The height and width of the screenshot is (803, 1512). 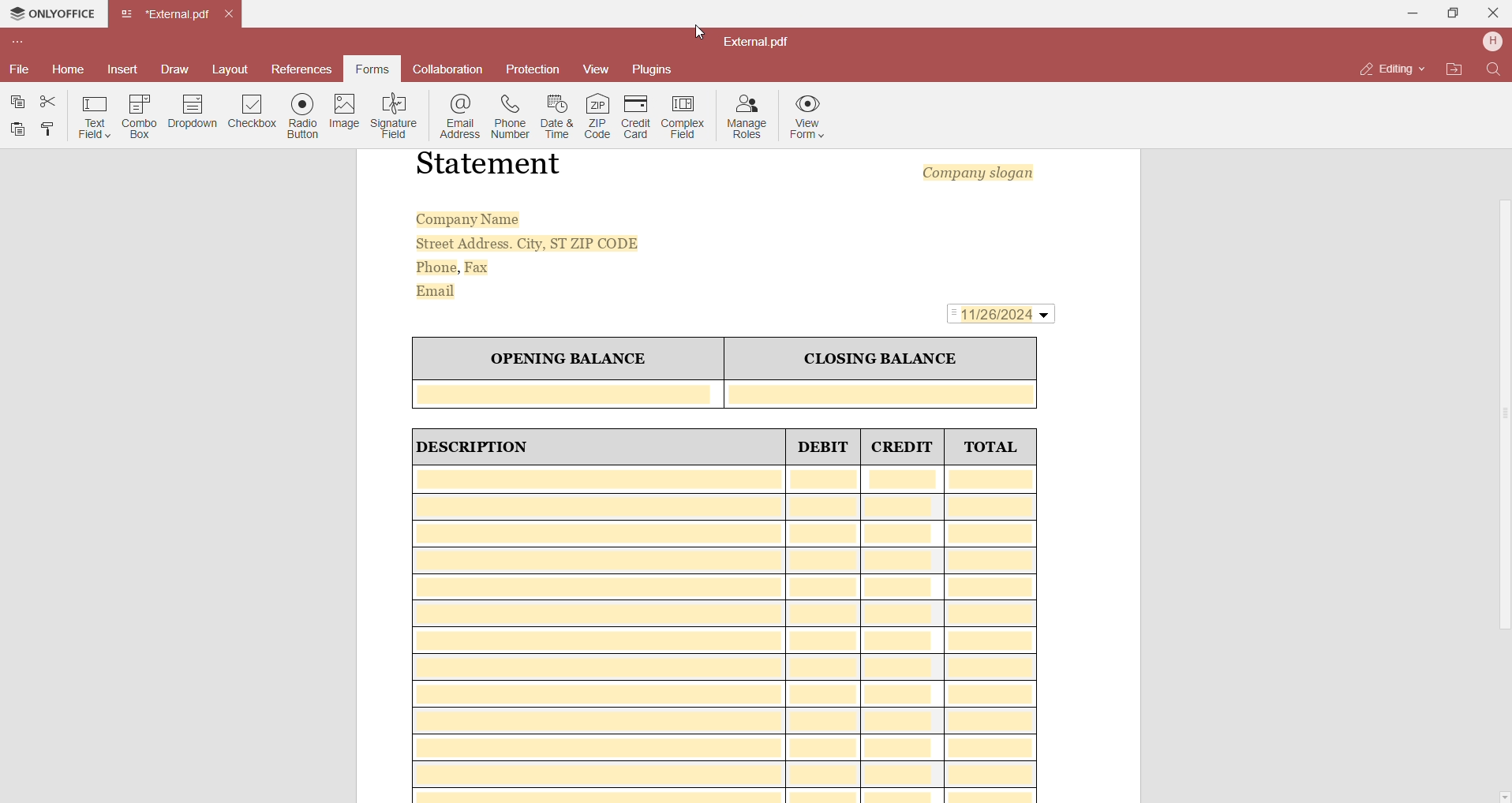 I want to click on Find, so click(x=1495, y=70).